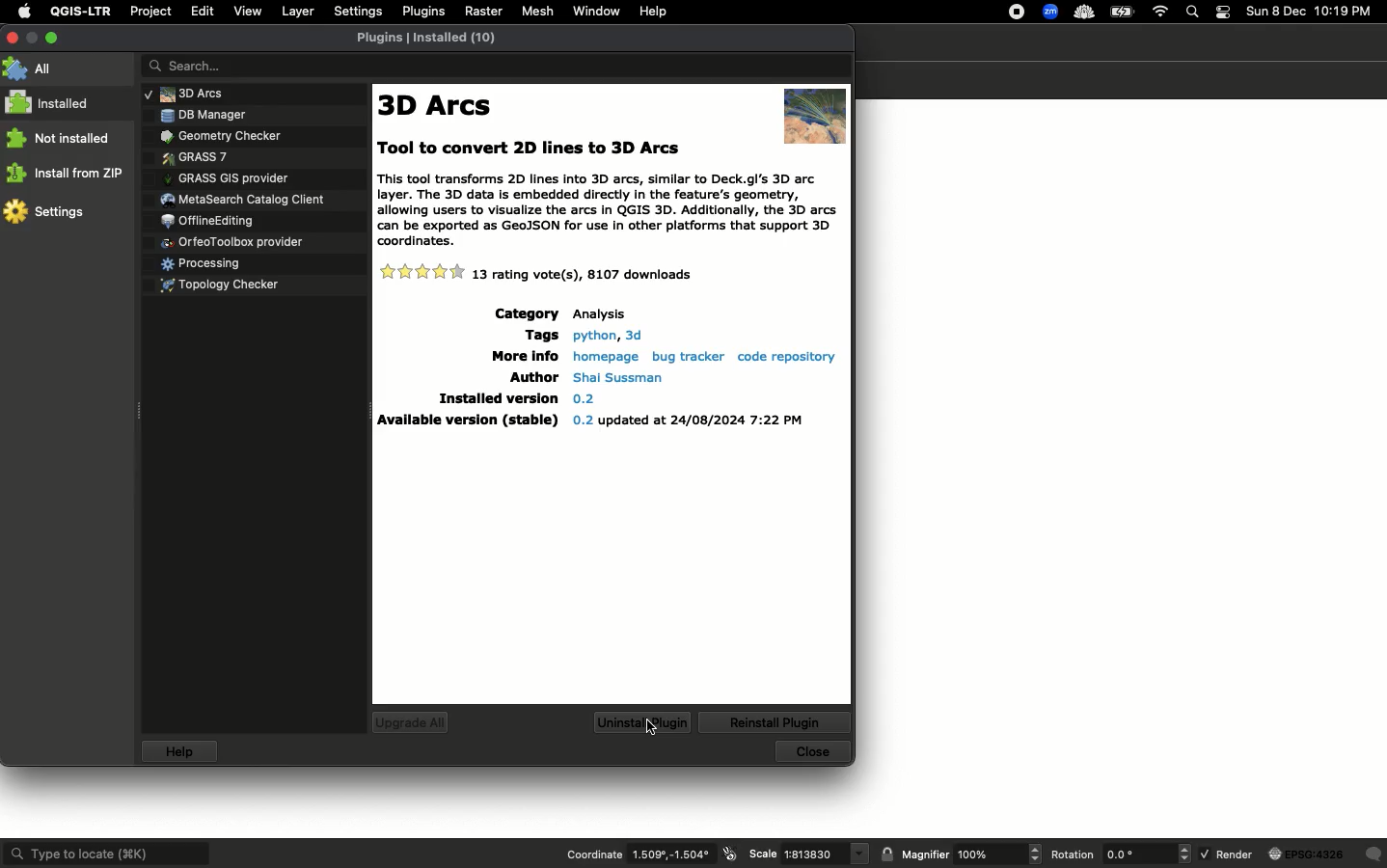 The height and width of the screenshot is (868, 1387). Describe the element at coordinates (359, 11) in the screenshot. I see `Settings` at that location.